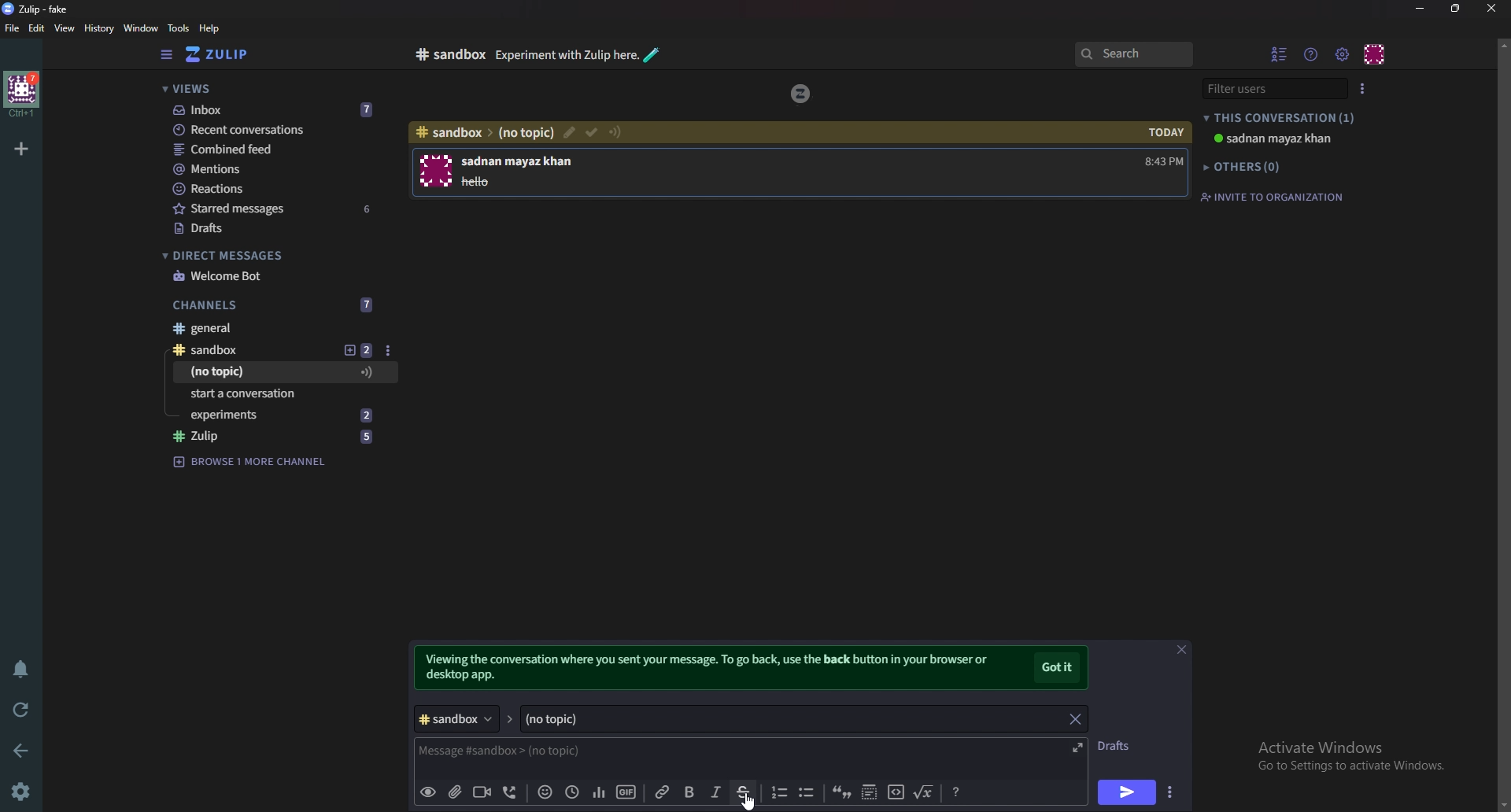 Image resolution: width=1511 pixels, height=812 pixels. What do you see at coordinates (276, 207) in the screenshot?
I see `Starred messages` at bounding box center [276, 207].